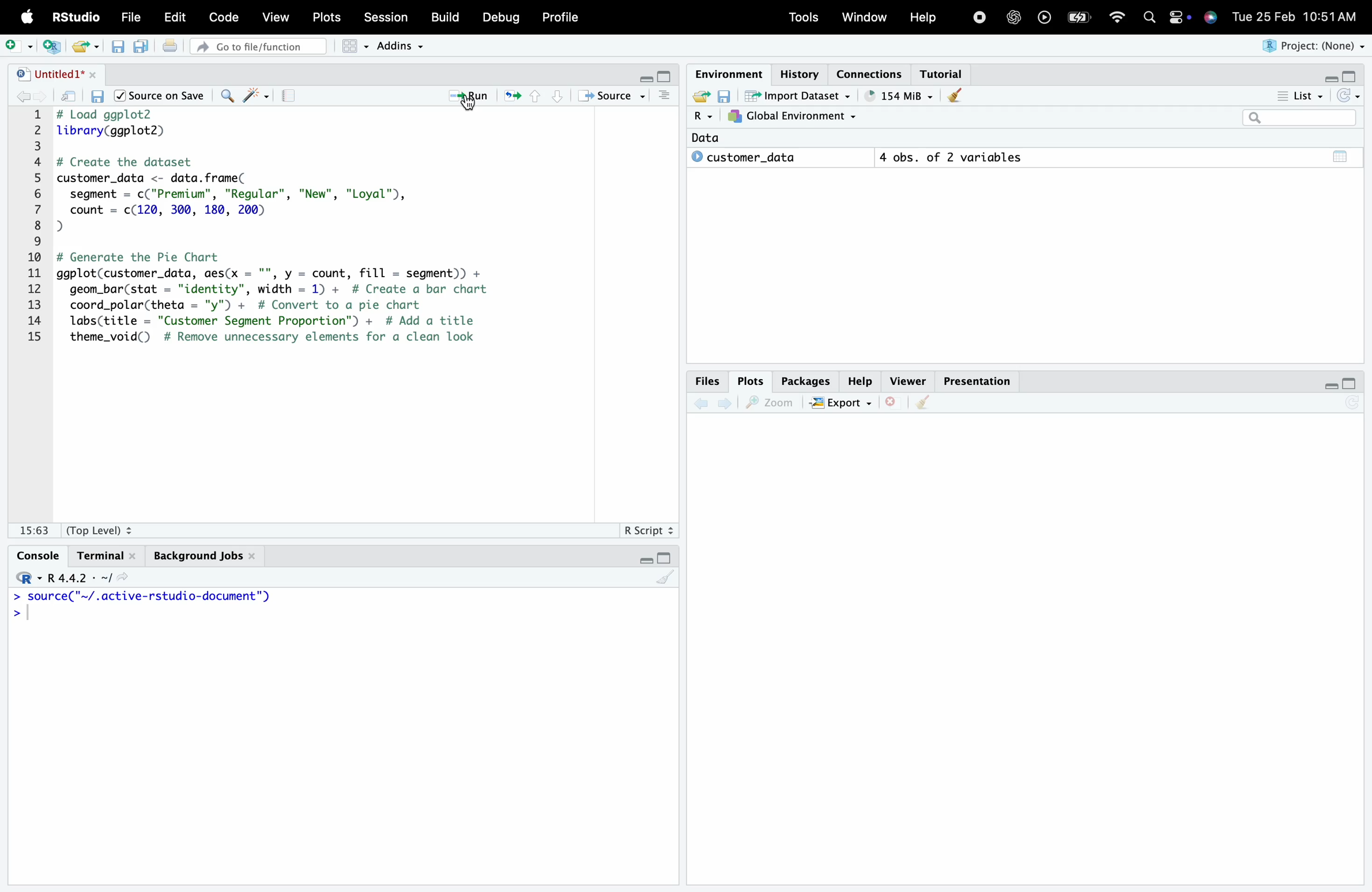 The width and height of the screenshot is (1372, 892). Describe the element at coordinates (949, 96) in the screenshot. I see `clear` at that location.